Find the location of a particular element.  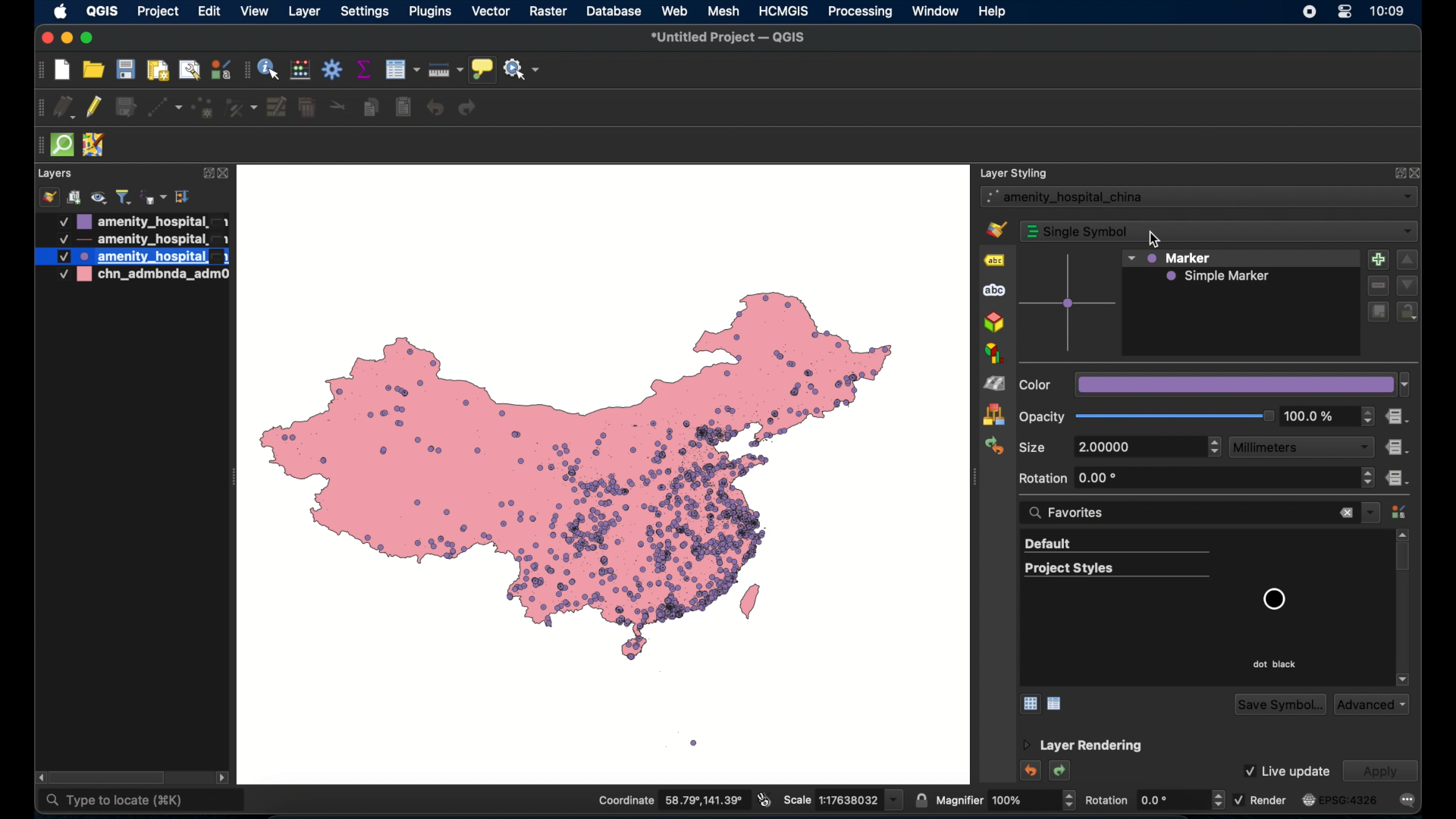

layer 4 is located at coordinates (137, 276).